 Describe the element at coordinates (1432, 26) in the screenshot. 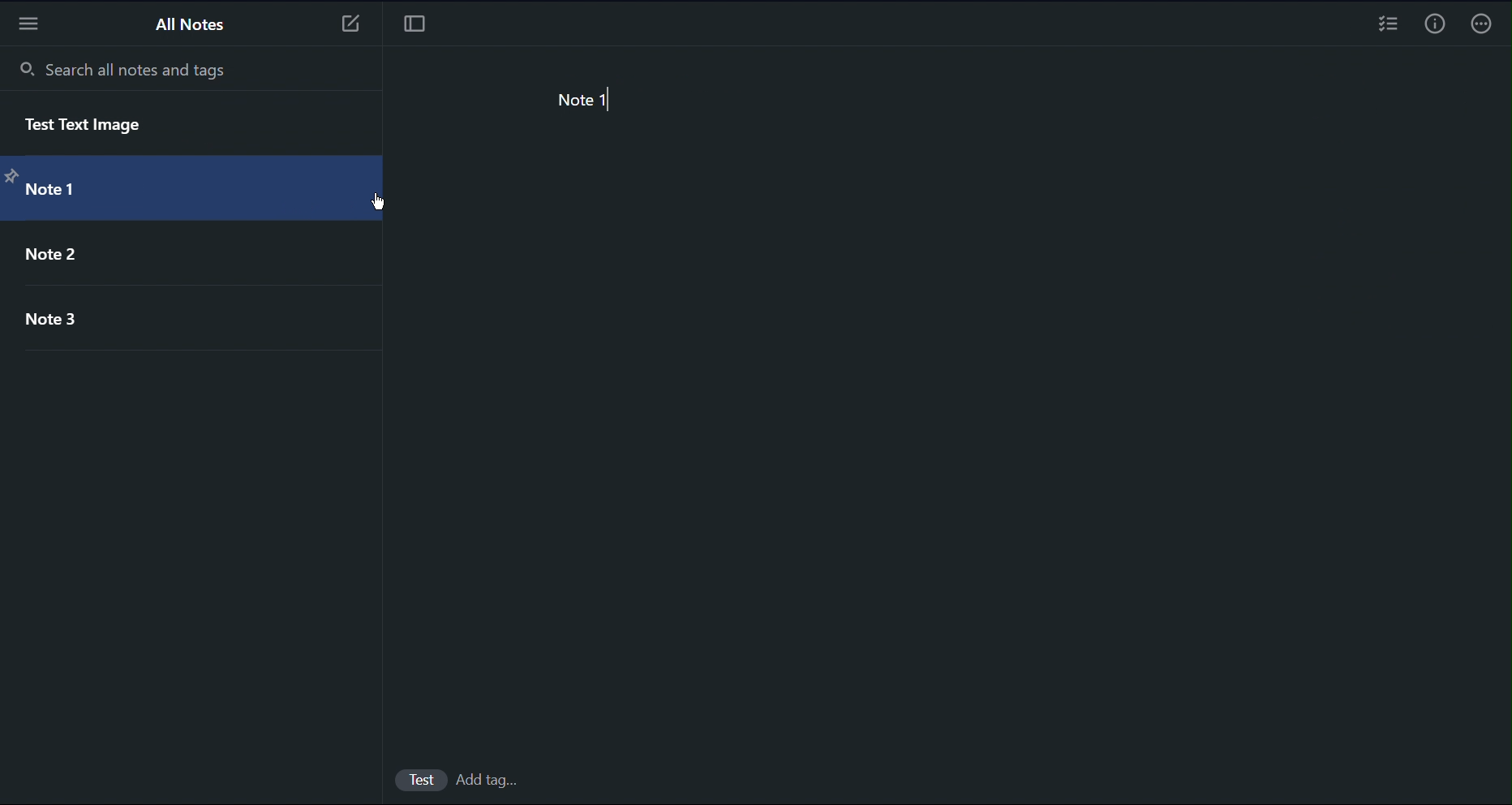

I see `Info` at that location.